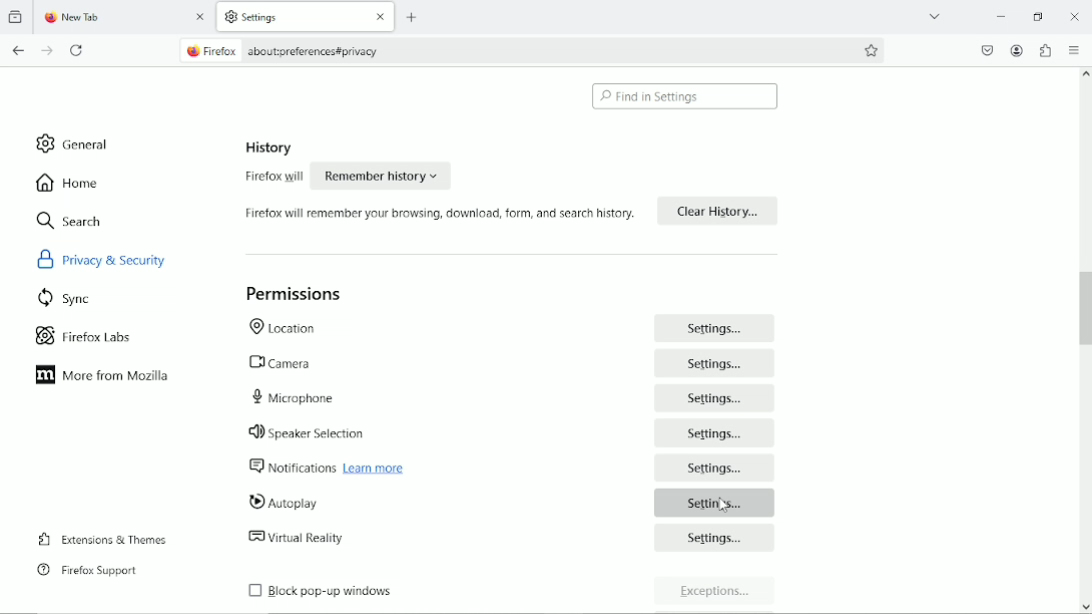  What do you see at coordinates (384, 175) in the screenshot?
I see `Remember history ` at bounding box center [384, 175].